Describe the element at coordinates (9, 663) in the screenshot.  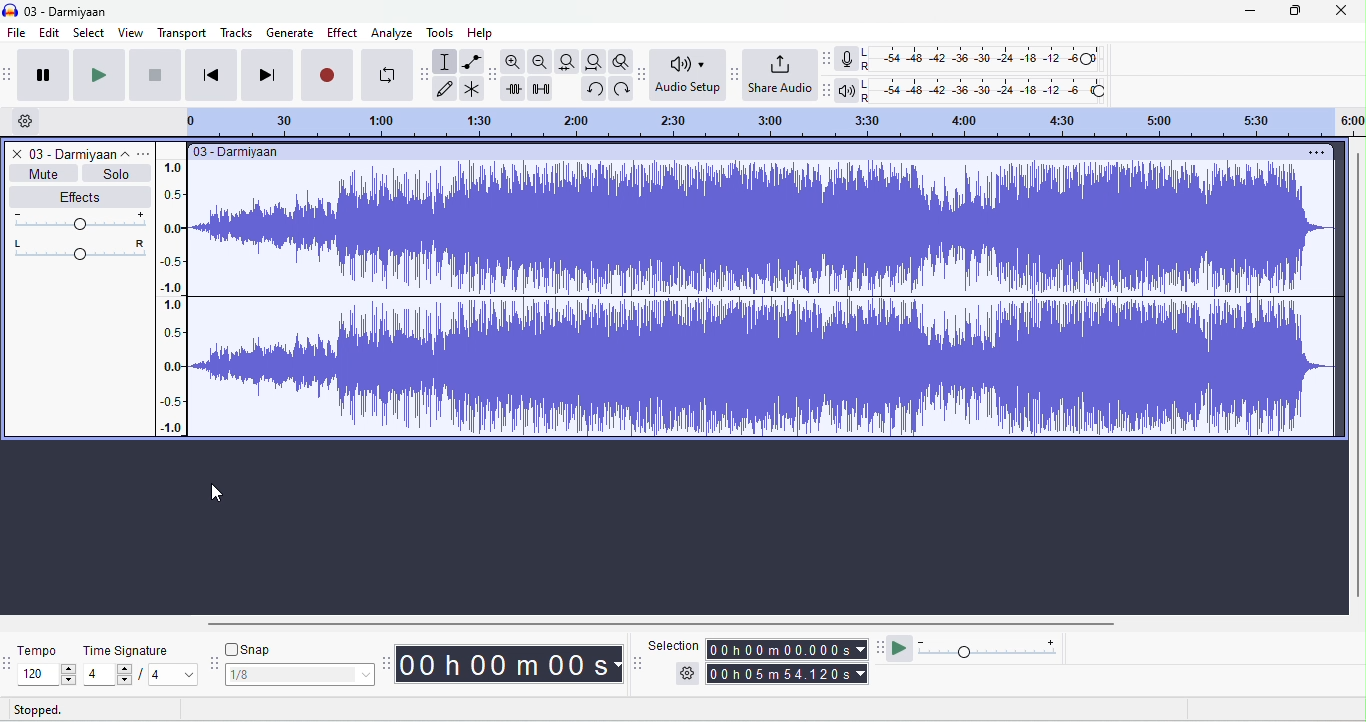
I see `tempo options` at that location.